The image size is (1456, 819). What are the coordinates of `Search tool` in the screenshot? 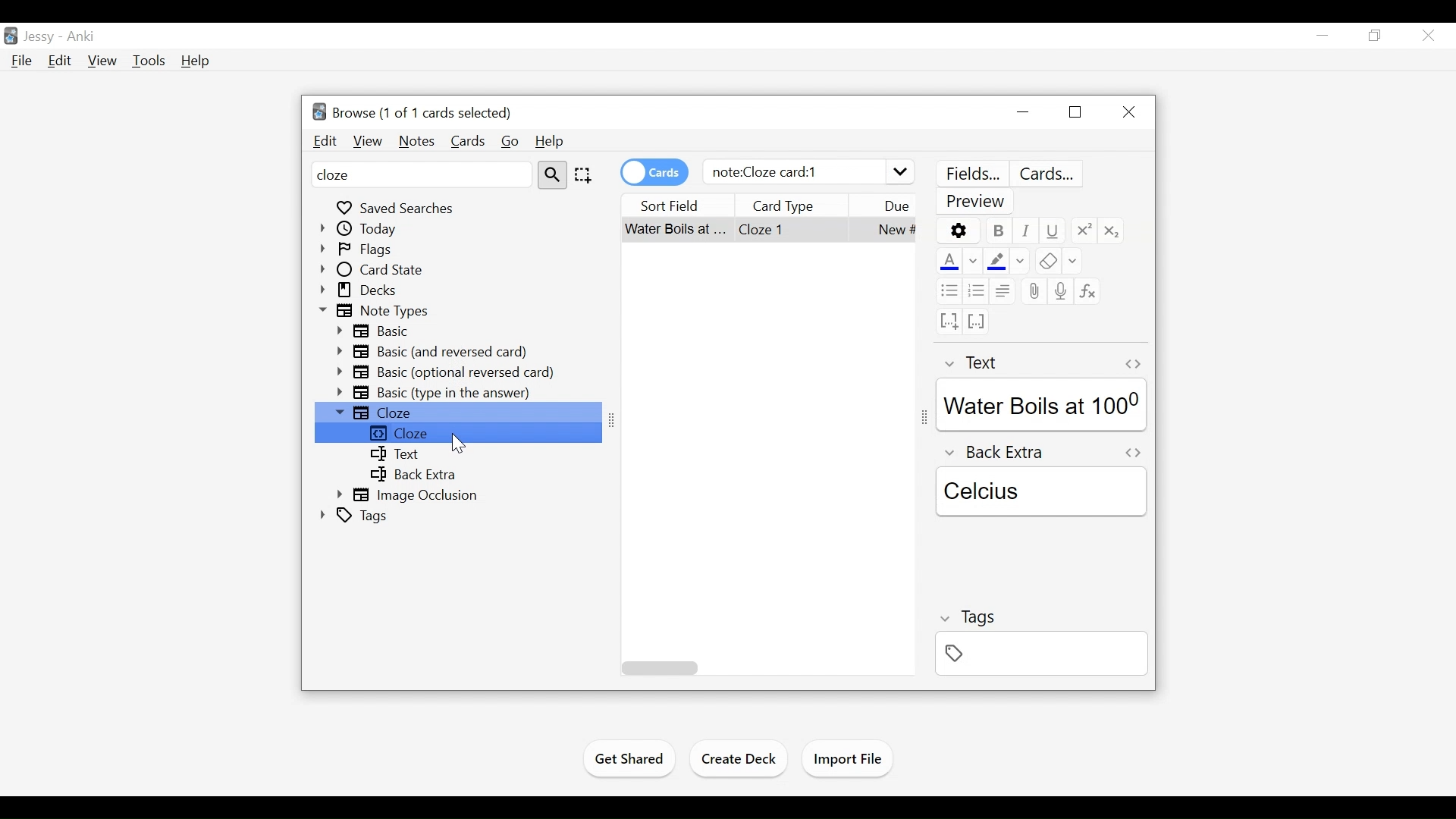 It's located at (554, 175).